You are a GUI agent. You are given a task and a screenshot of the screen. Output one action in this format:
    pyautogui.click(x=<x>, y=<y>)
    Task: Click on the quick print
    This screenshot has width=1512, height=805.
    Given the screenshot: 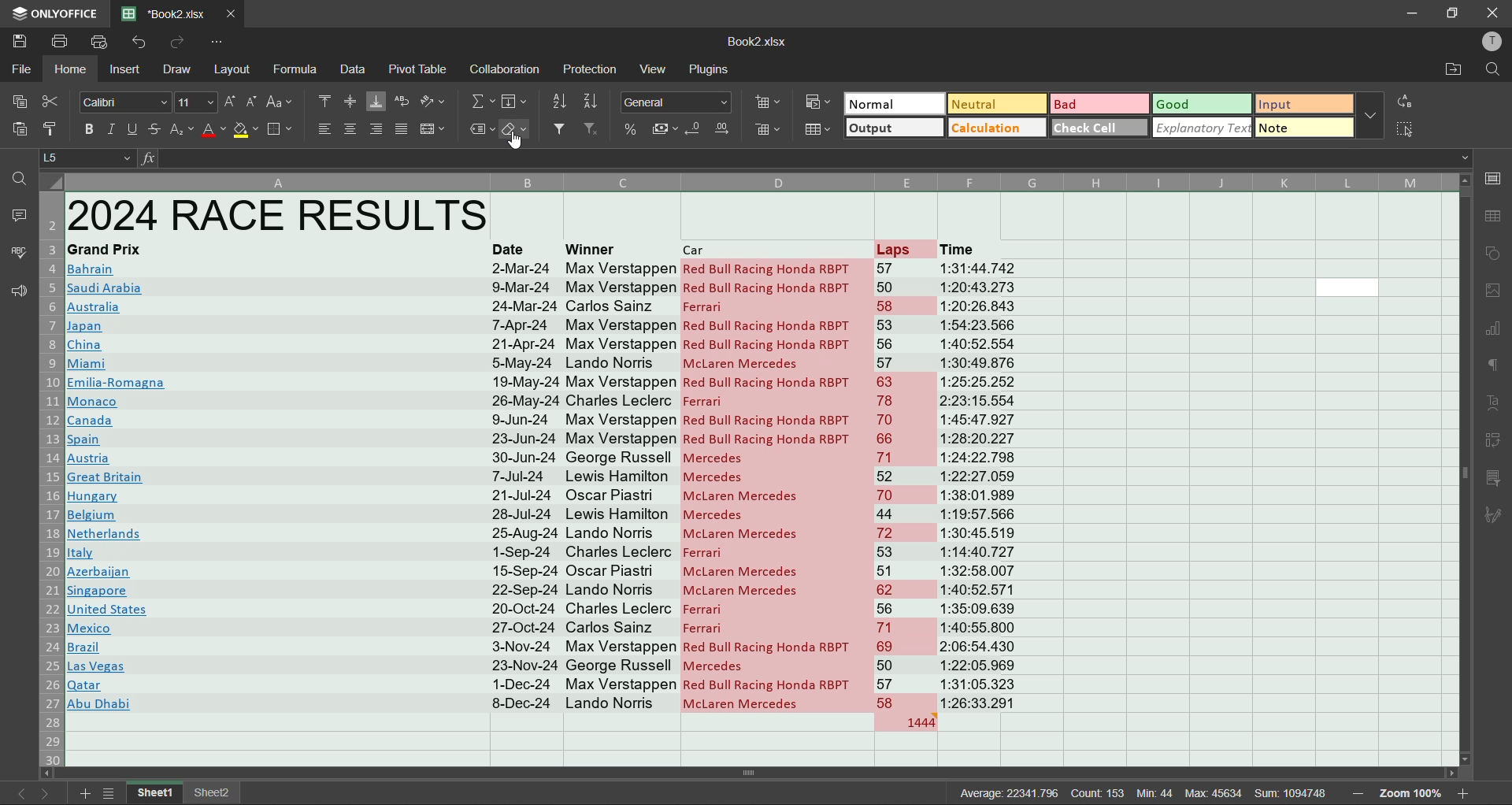 What is the action you would take?
    pyautogui.click(x=103, y=42)
    